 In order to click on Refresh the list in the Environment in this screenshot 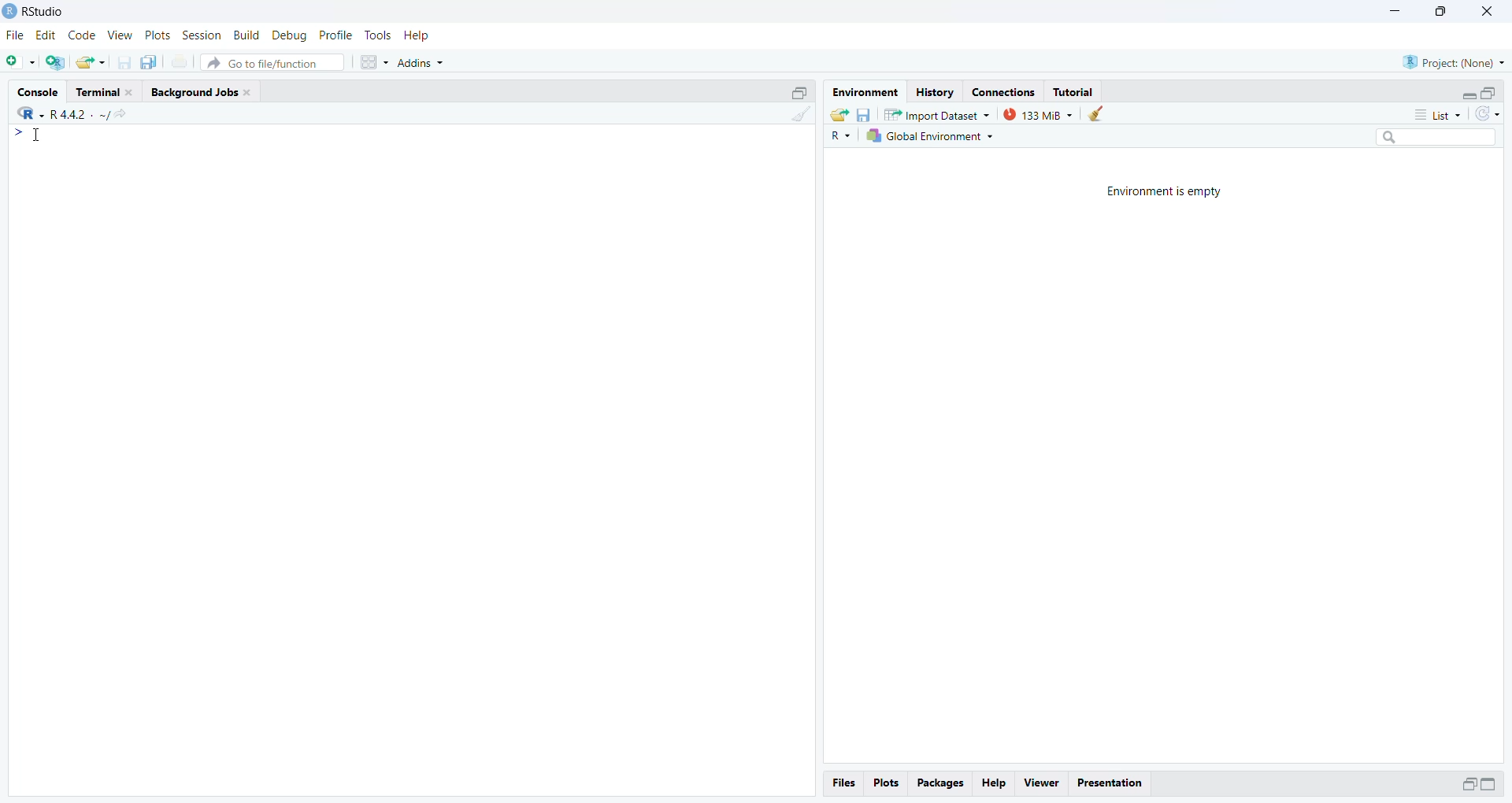, I will do `click(1488, 116)`.